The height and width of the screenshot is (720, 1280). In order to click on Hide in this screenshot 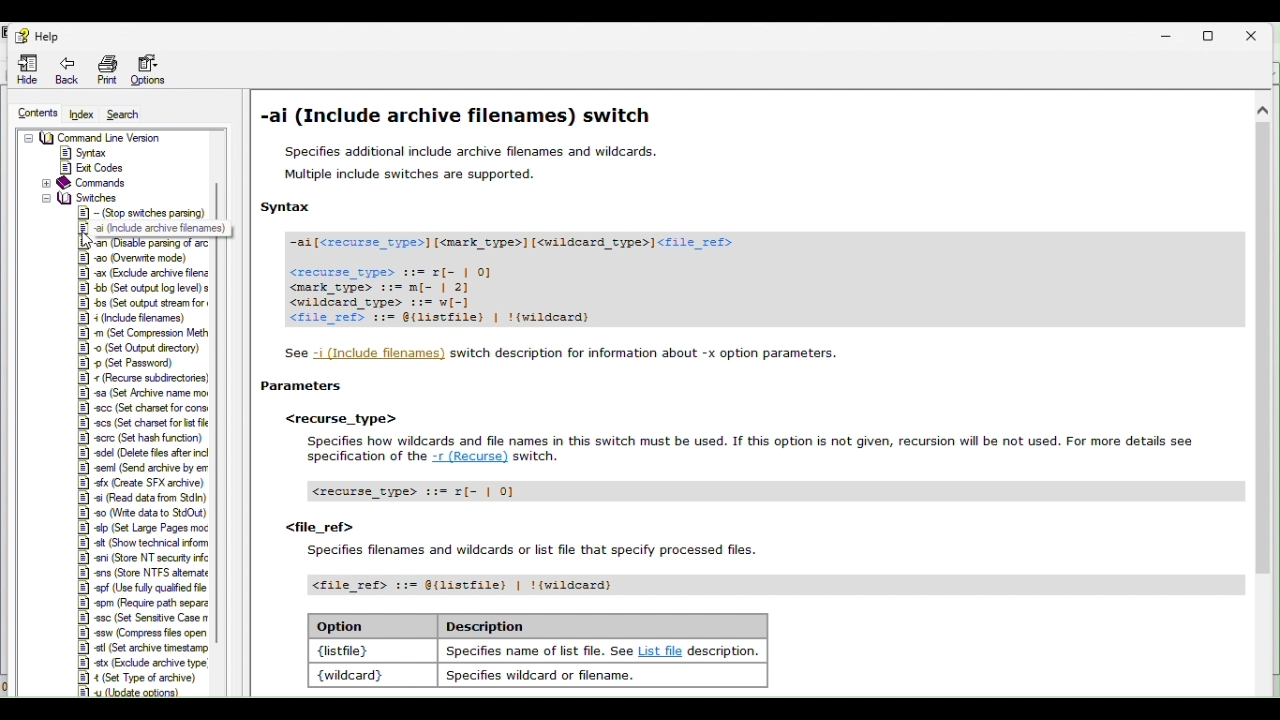, I will do `click(22, 70)`.